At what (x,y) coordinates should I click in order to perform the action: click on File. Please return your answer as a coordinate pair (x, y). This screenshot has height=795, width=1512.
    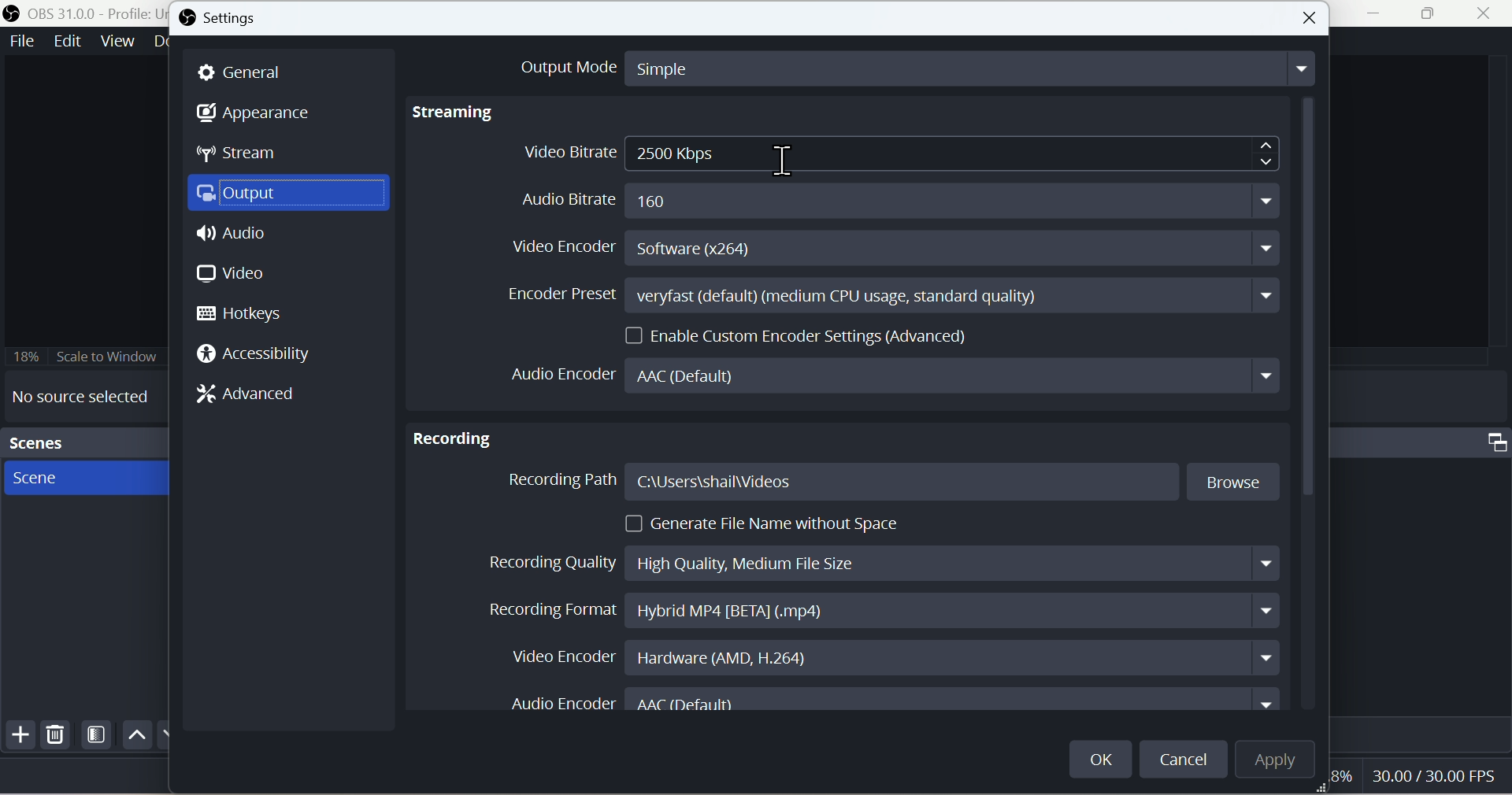
    Looking at the image, I should click on (20, 42).